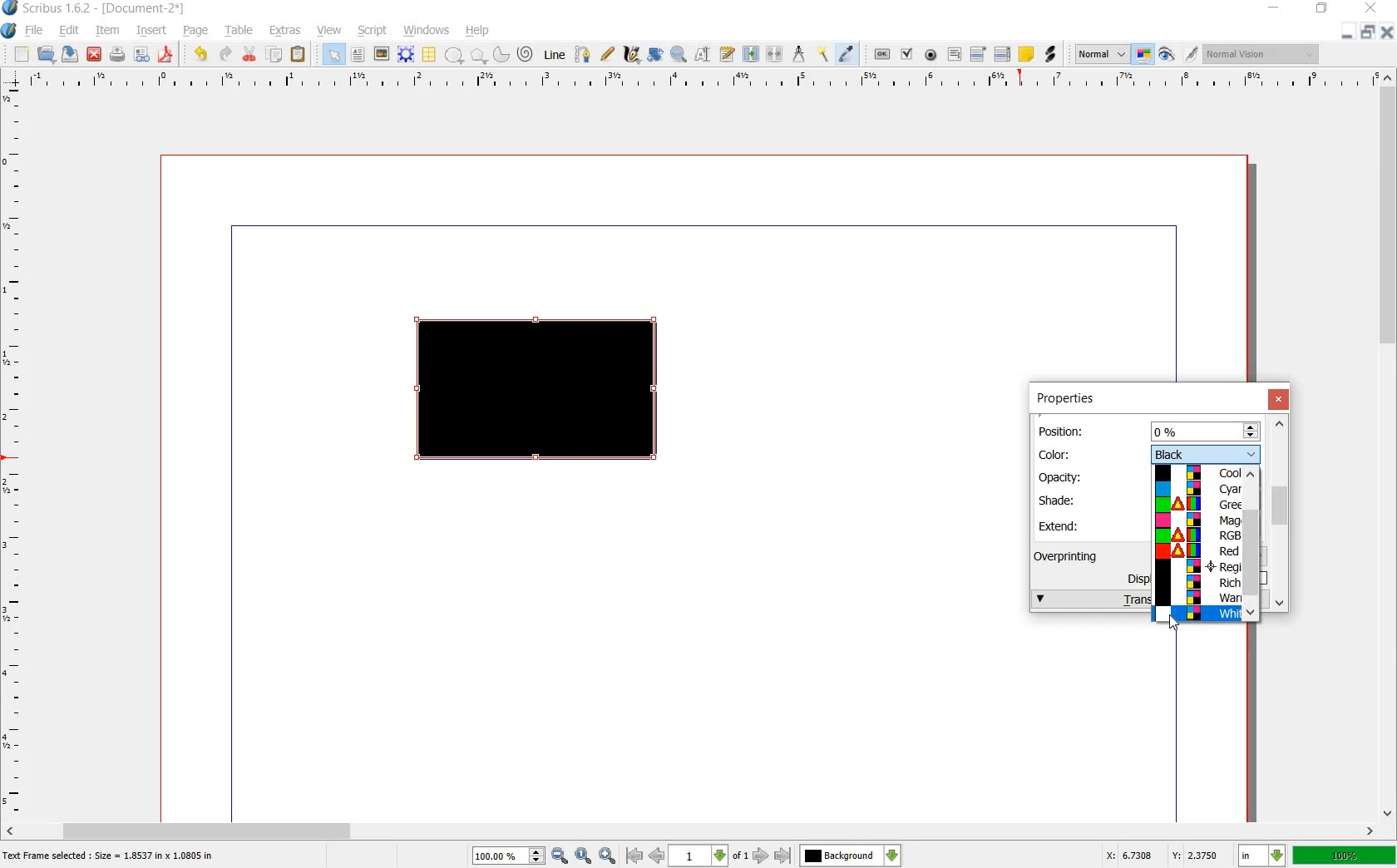  I want to click on gradient added to shape, so click(540, 392).